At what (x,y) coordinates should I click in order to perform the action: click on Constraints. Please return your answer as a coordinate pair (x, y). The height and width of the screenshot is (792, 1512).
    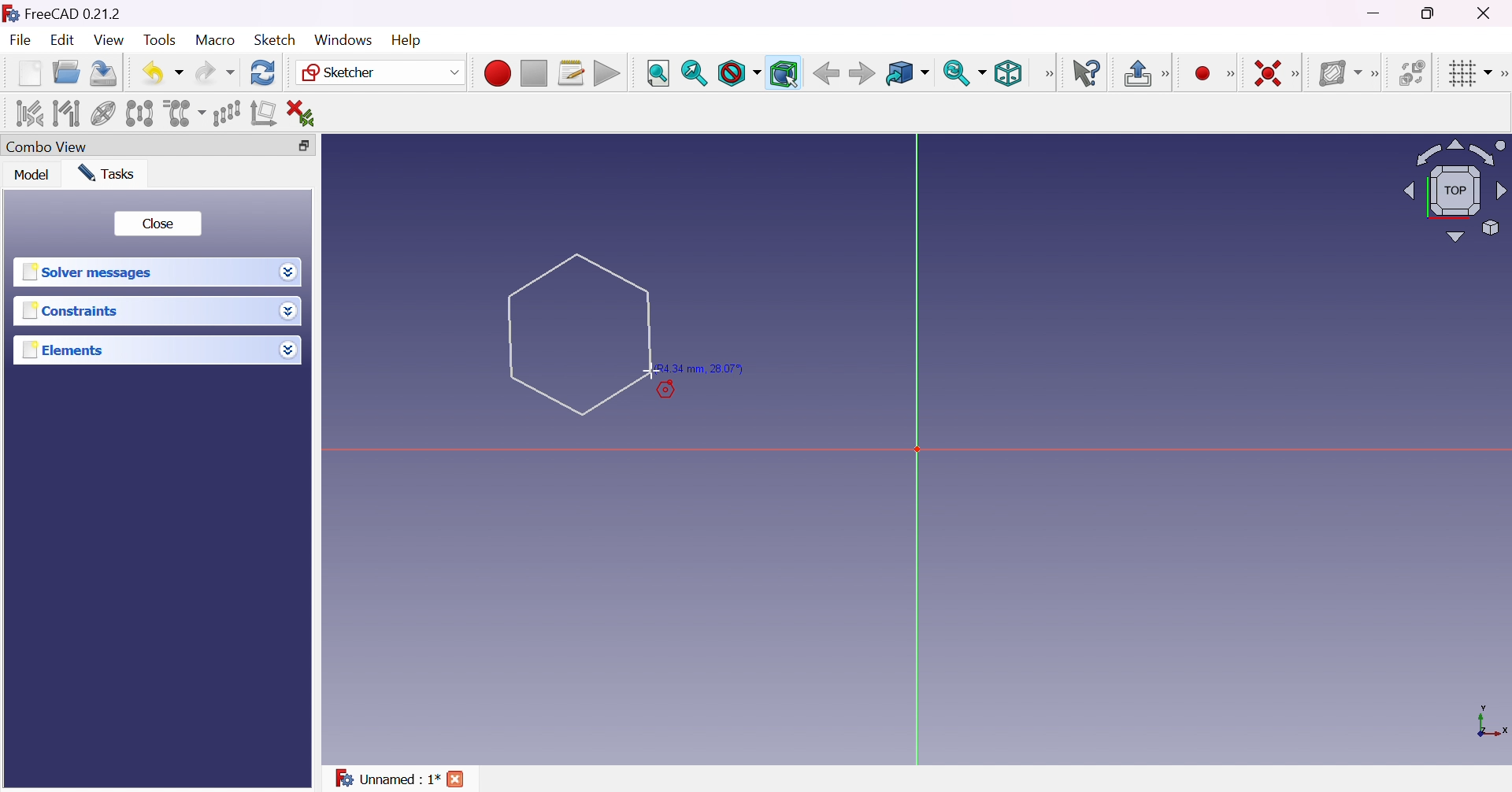
    Looking at the image, I should click on (75, 310).